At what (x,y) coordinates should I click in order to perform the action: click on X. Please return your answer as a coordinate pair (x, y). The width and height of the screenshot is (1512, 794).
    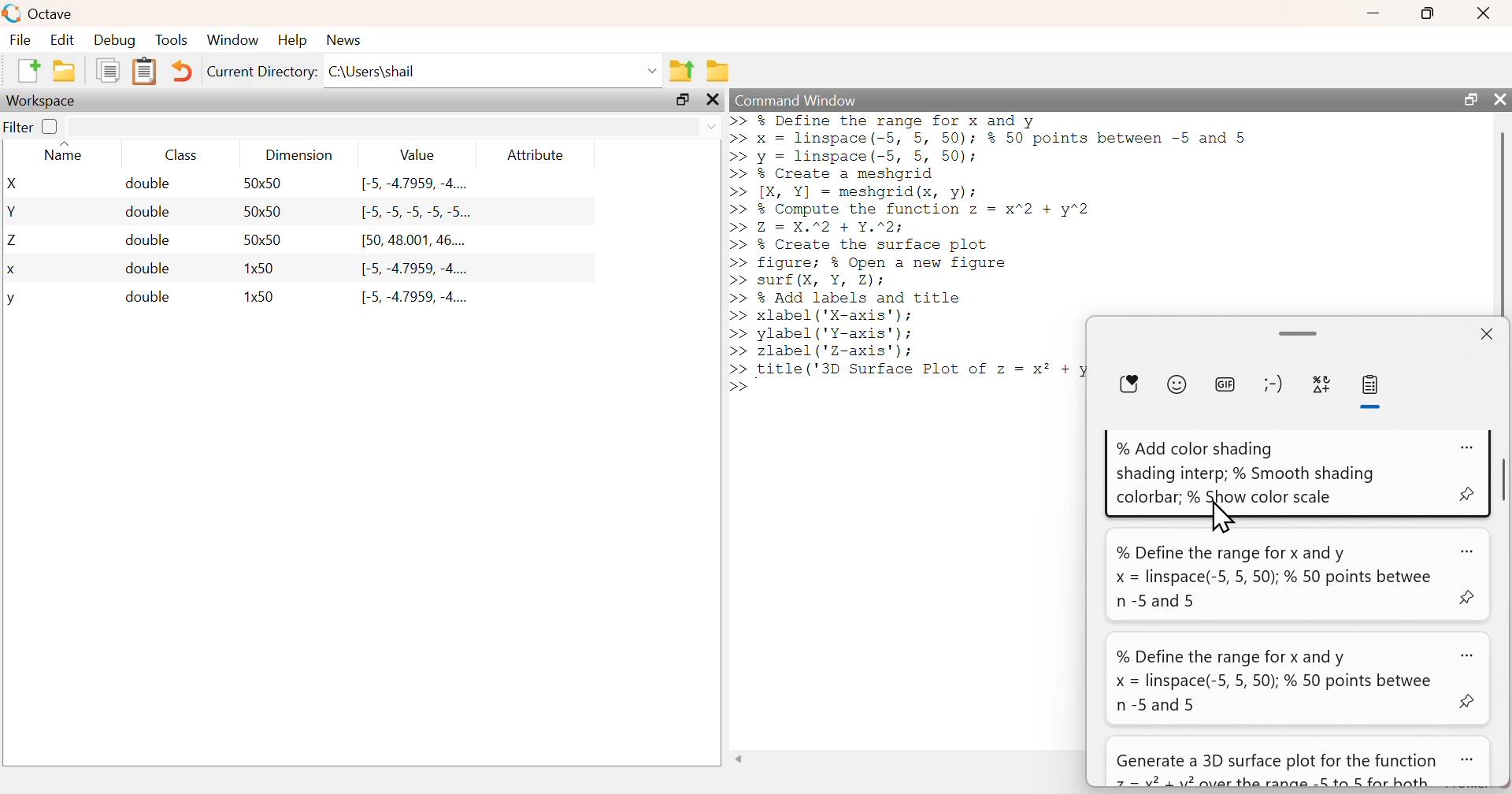
    Looking at the image, I should click on (15, 184).